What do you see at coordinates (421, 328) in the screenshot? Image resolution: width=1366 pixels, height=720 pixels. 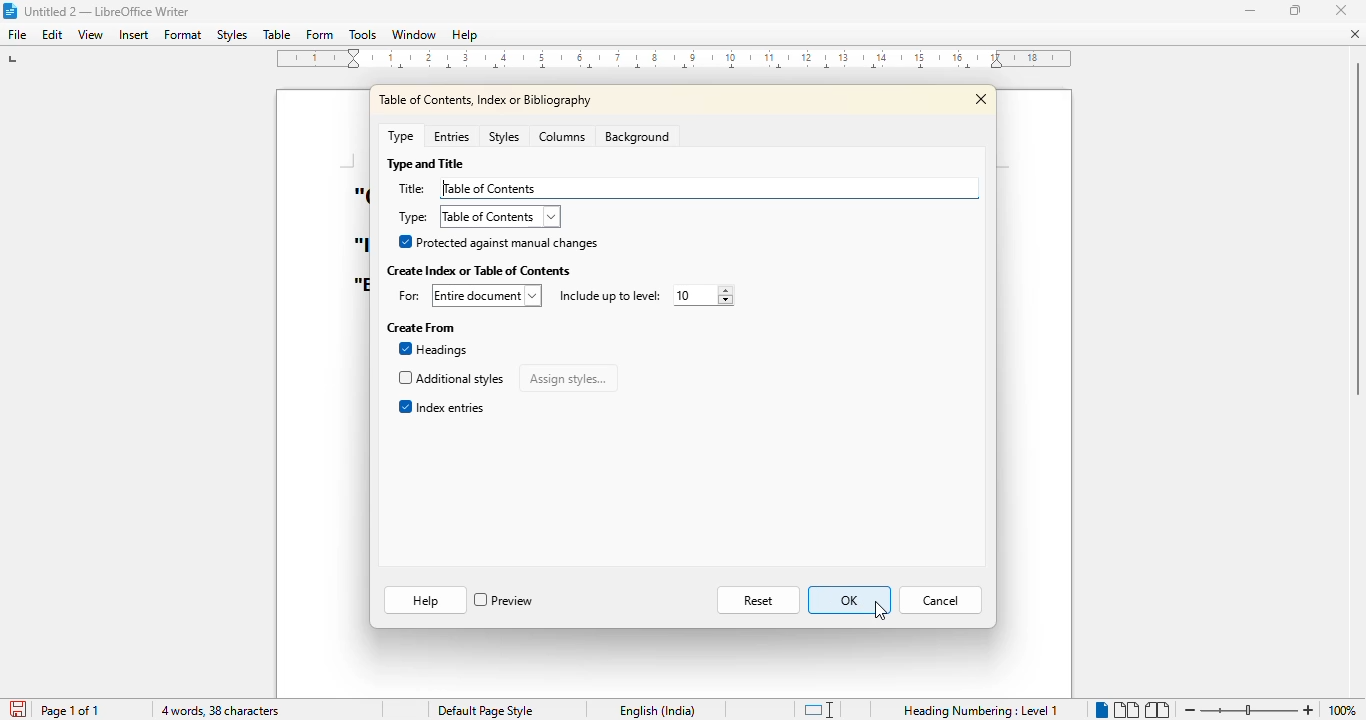 I see `create from` at bounding box center [421, 328].